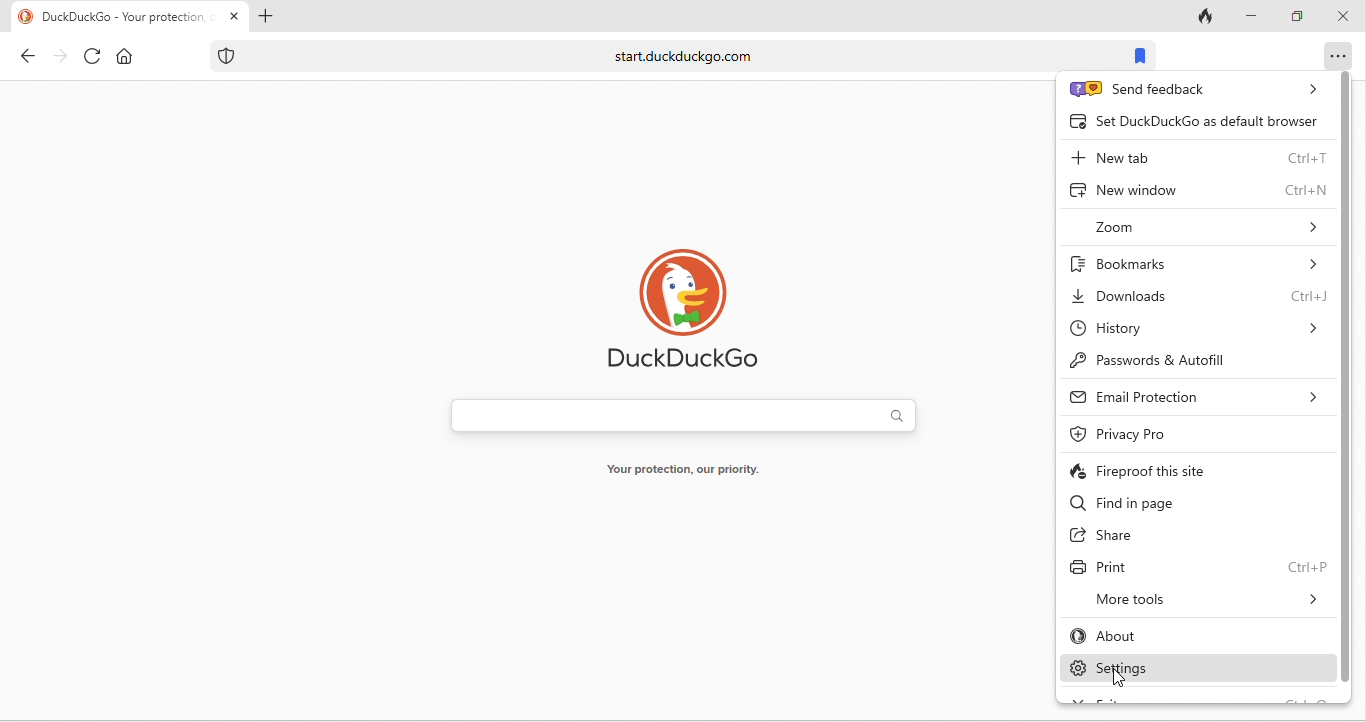 The image size is (1366, 722). I want to click on back, so click(23, 59).